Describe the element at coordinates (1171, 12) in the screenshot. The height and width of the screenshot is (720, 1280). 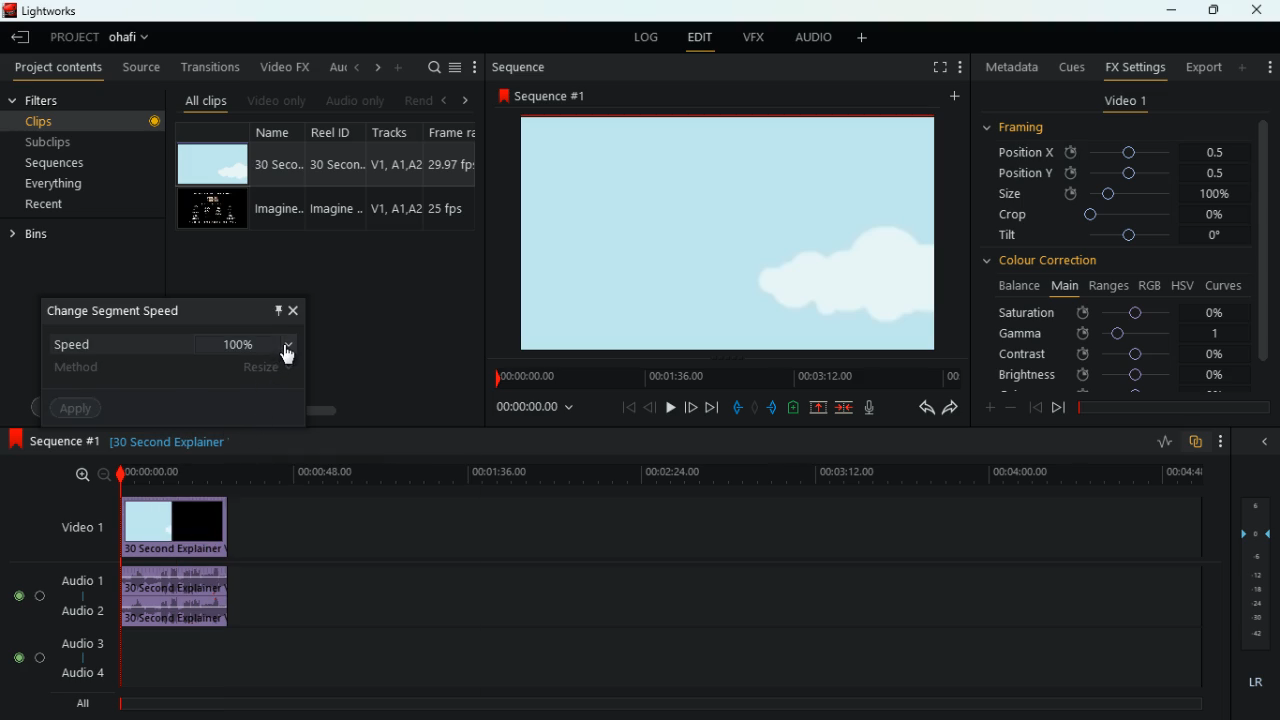
I see `minimize` at that location.